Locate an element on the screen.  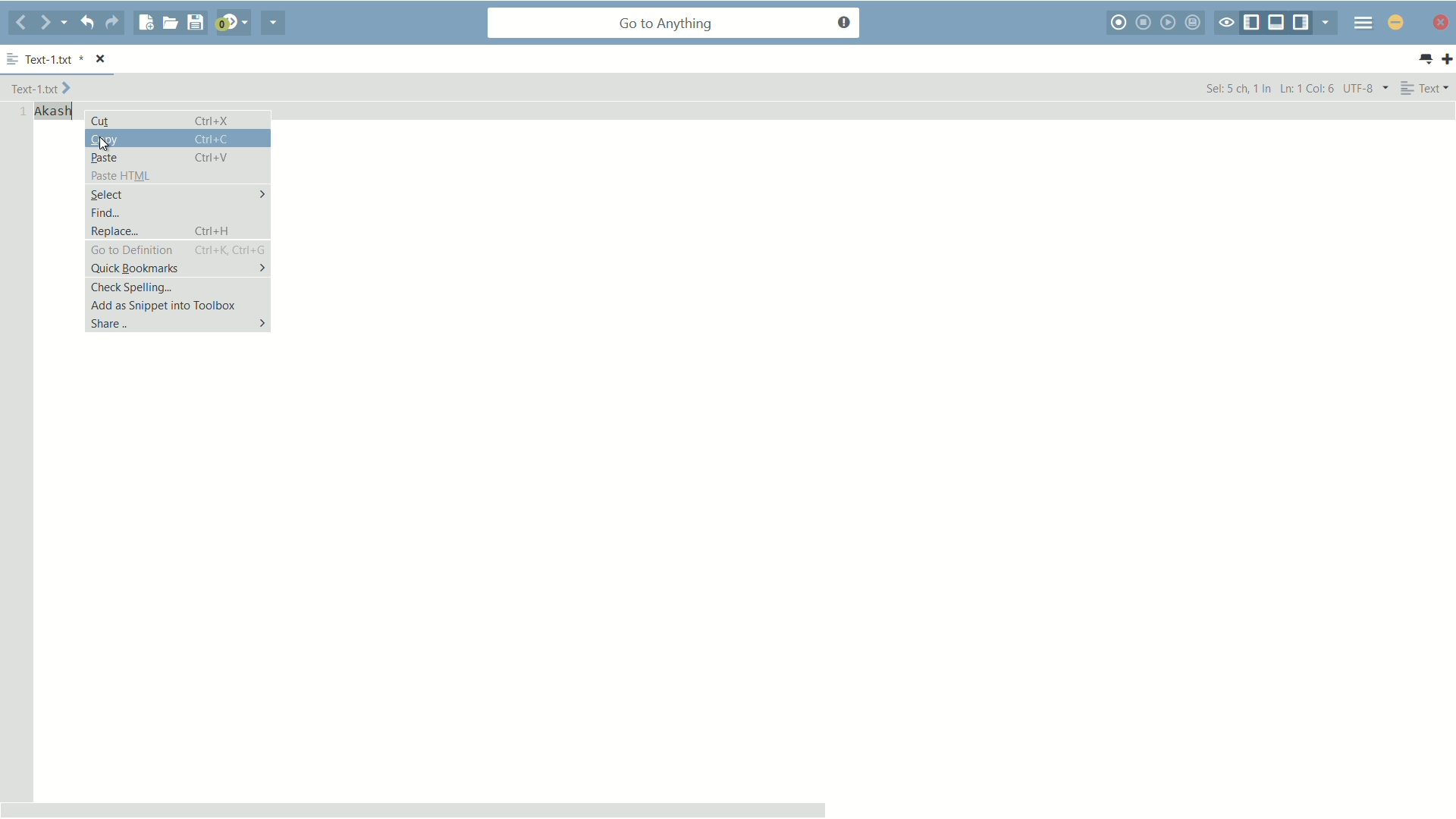
file name is located at coordinates (54, 61).